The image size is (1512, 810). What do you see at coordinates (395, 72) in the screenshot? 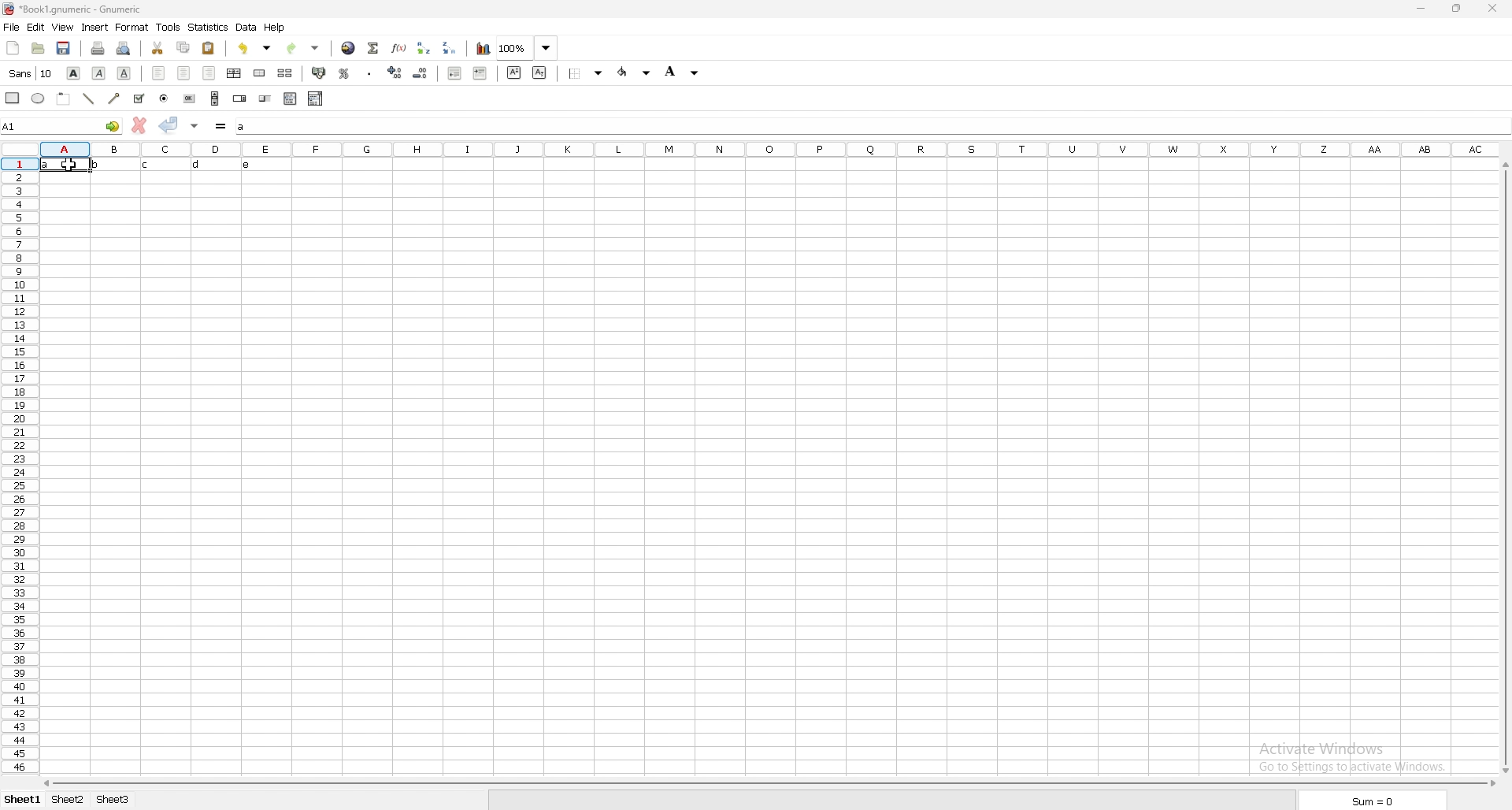
I see `increase decimals` at bounding box center [395, 72].